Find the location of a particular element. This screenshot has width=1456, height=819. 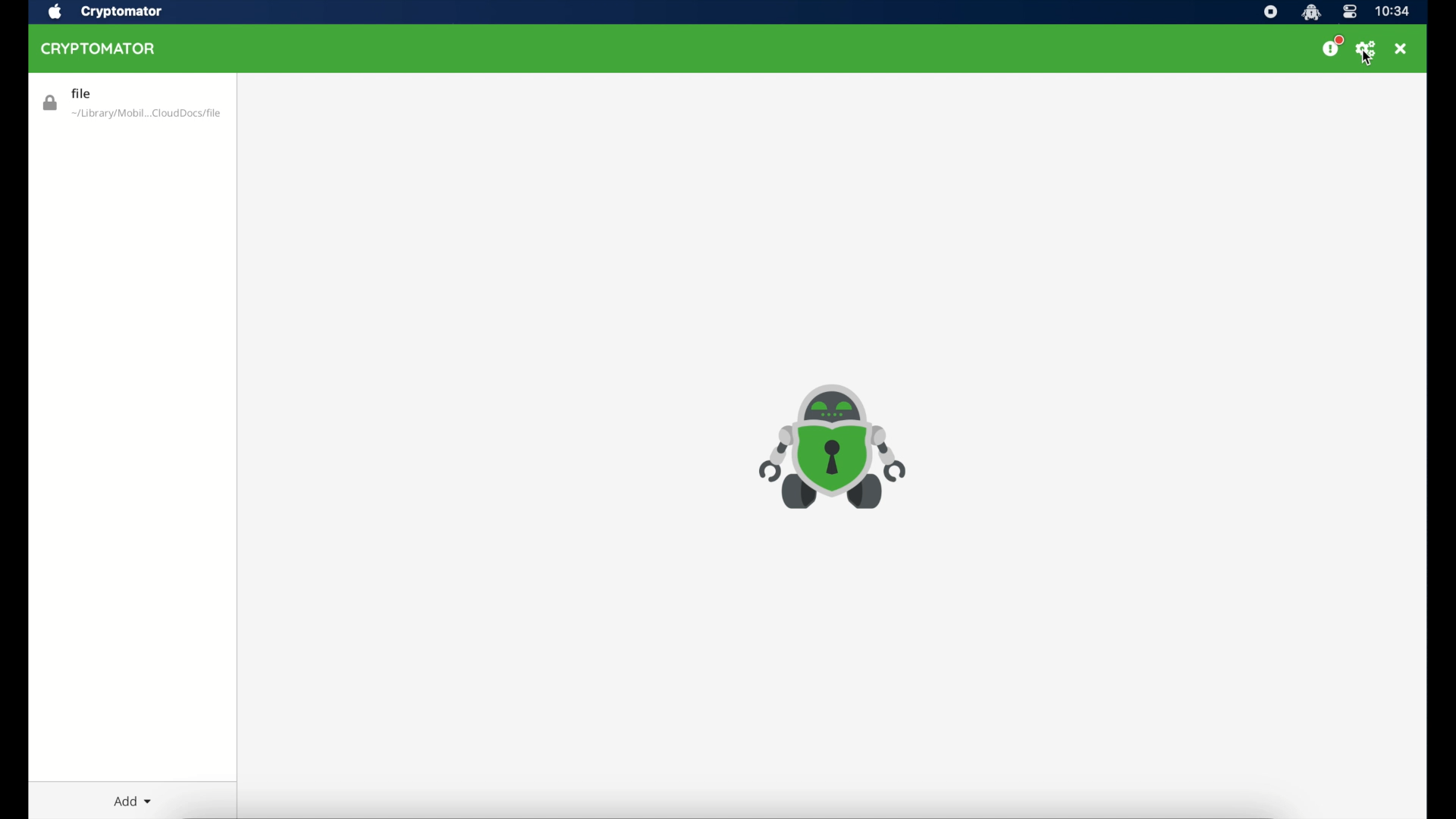

cryptomator is located at coordinates (122, 11).